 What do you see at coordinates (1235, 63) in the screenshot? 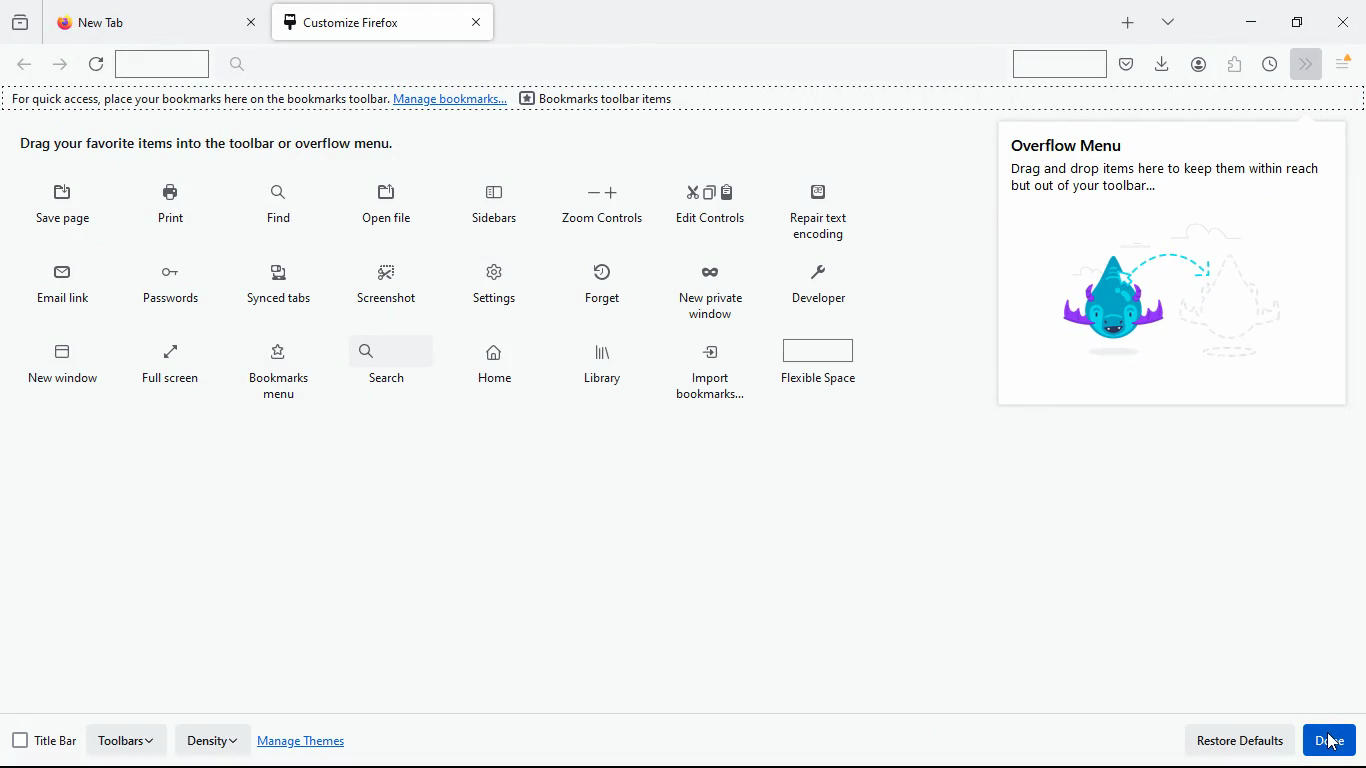
I see `extensions` at bounding box center [1235, 63].